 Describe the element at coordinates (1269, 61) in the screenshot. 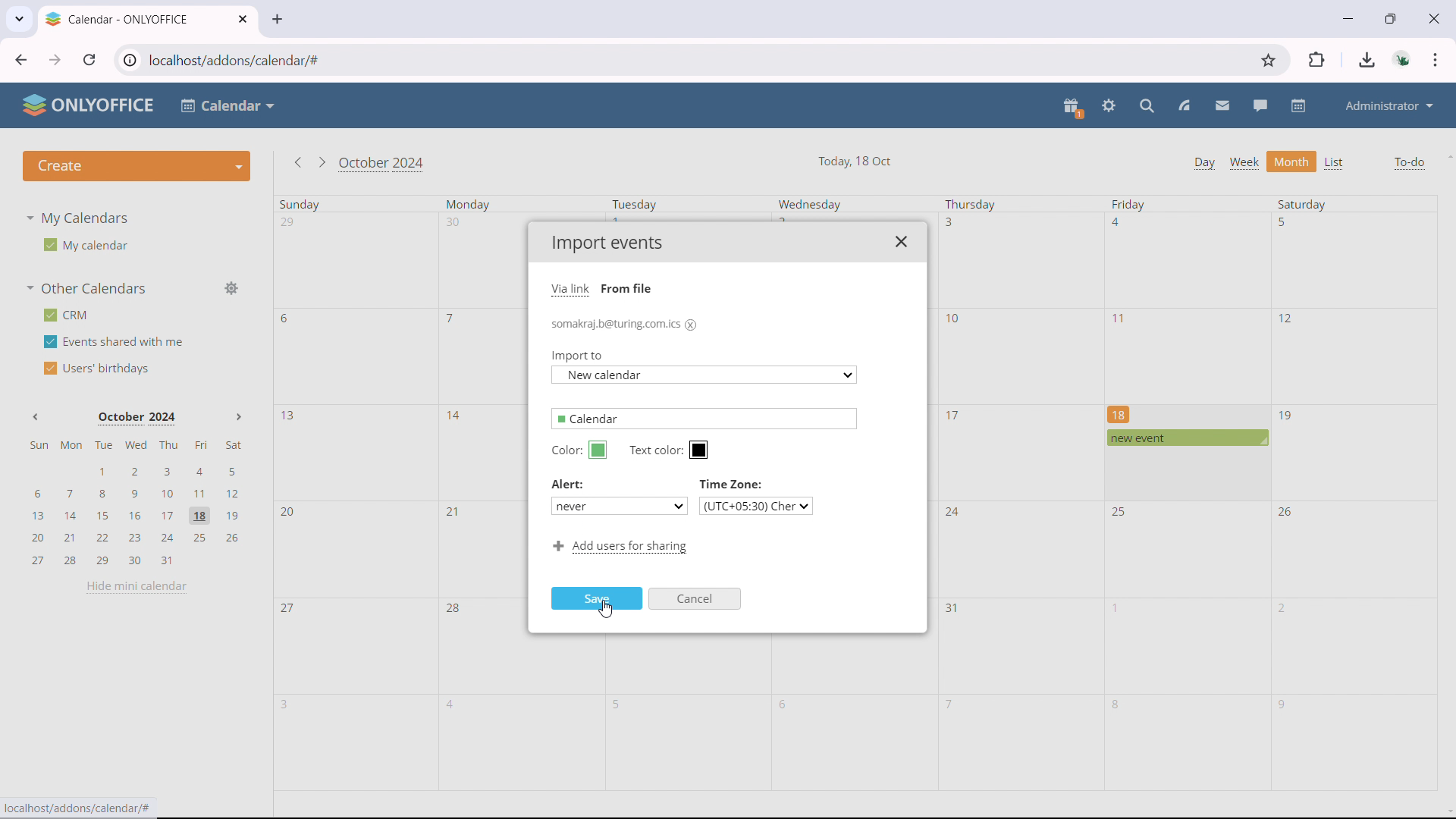

I see `bookmark this tab` at that location.